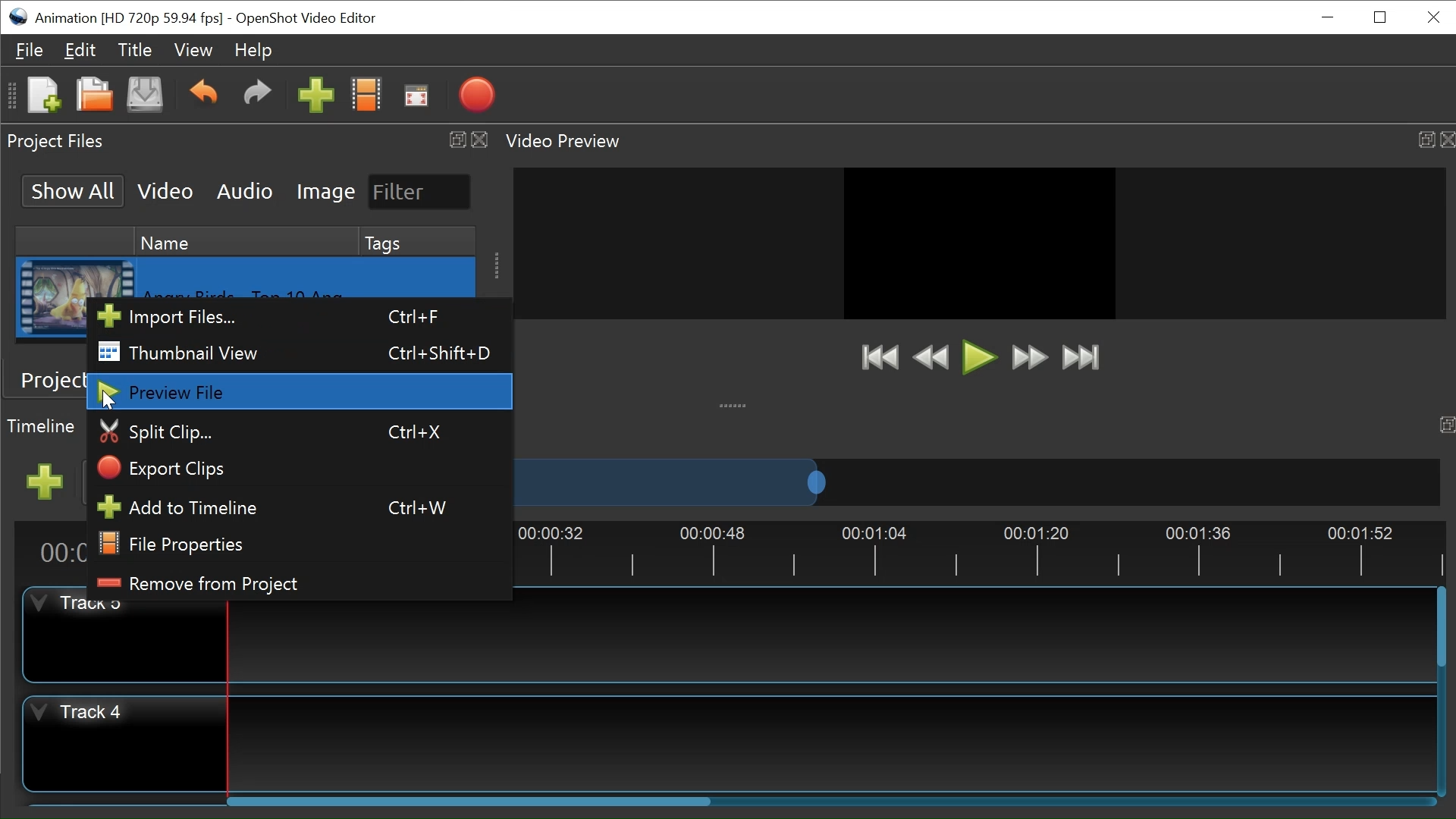  I want to click on Track Header, so click(125, 641).